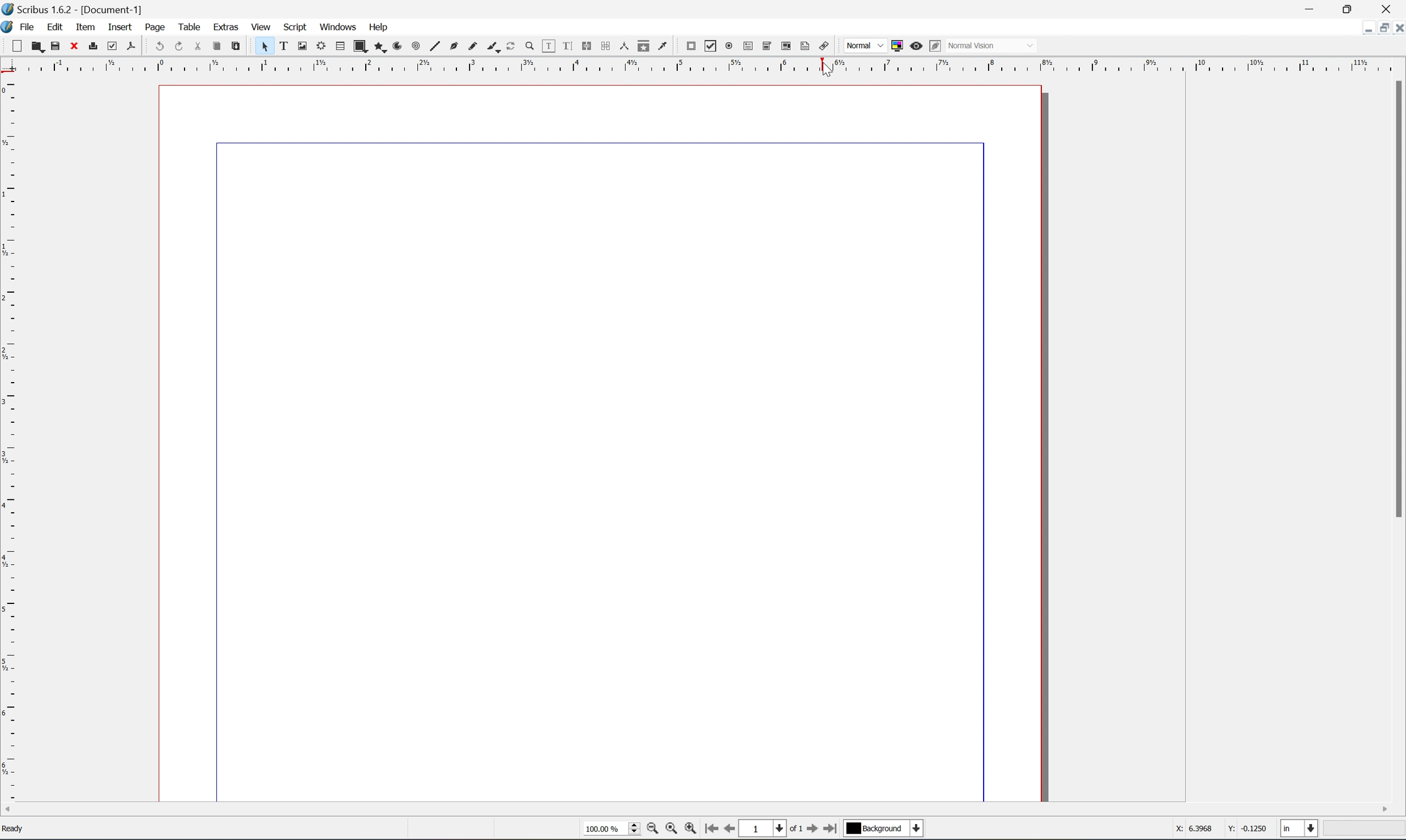  I want to click on Background, so click(883, 829).